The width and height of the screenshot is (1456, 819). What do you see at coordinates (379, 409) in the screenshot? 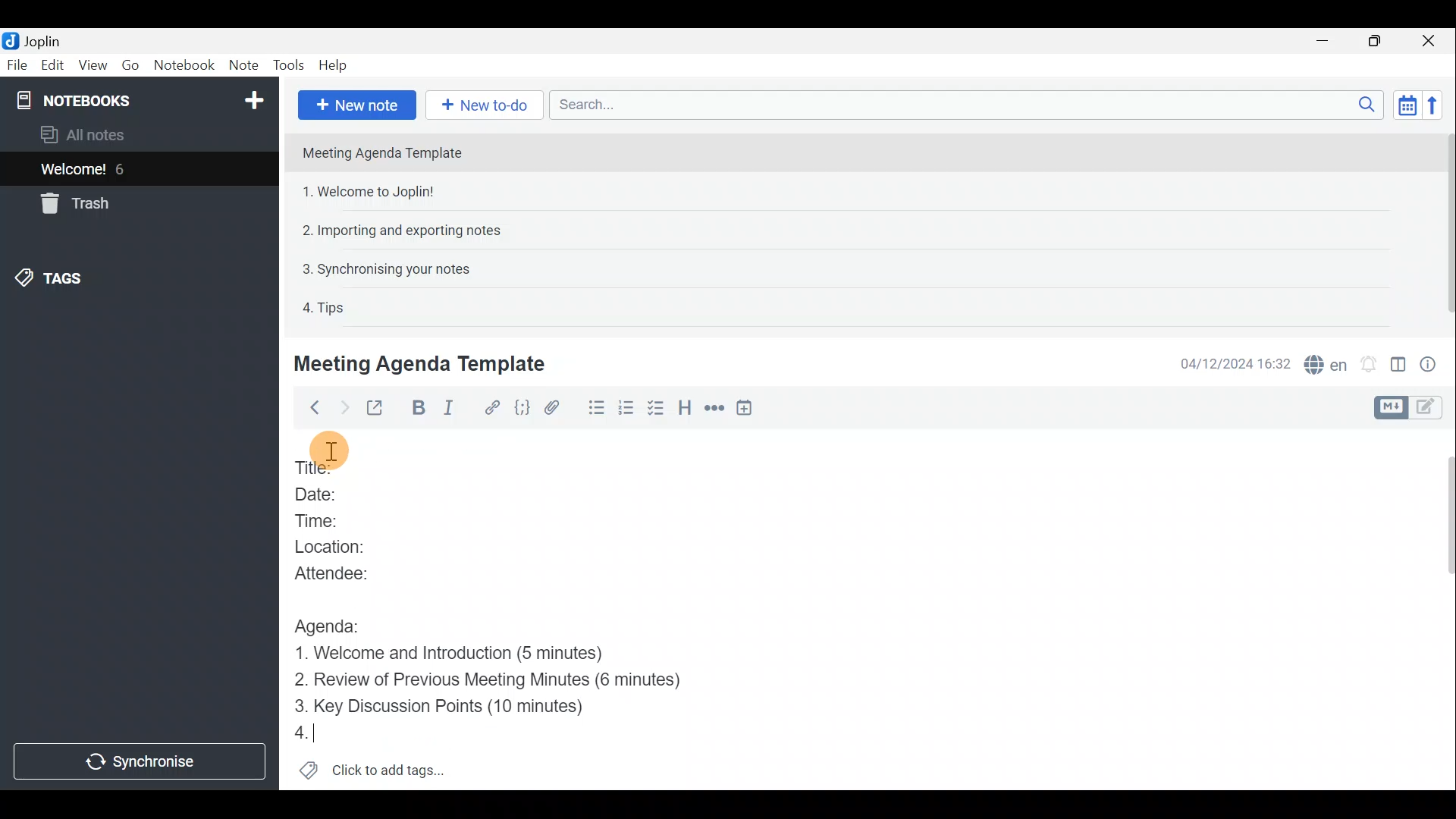
I see `Toggle external editing` at bounding box center [379, 409].